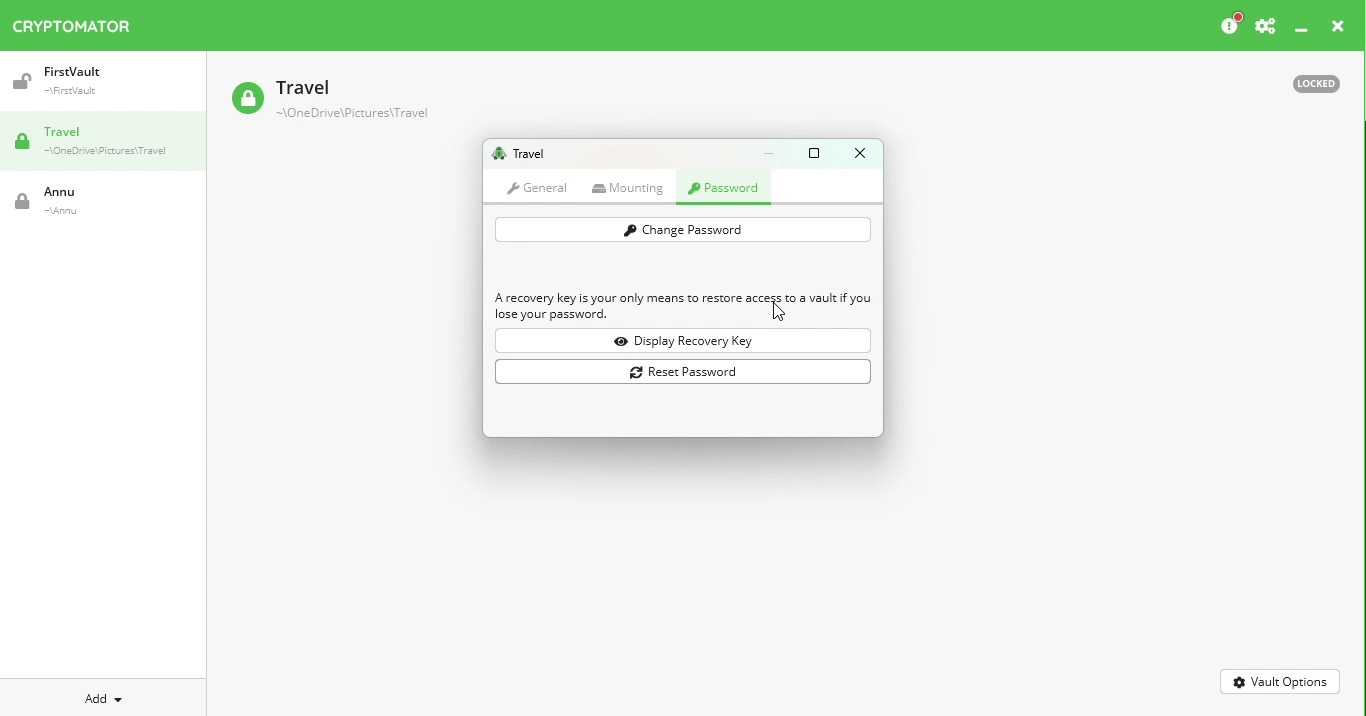 This screenshot has height=716, width=1366. Describe the element at coordinates (85, 201) in the screenshot. I see `Vault` at that location.